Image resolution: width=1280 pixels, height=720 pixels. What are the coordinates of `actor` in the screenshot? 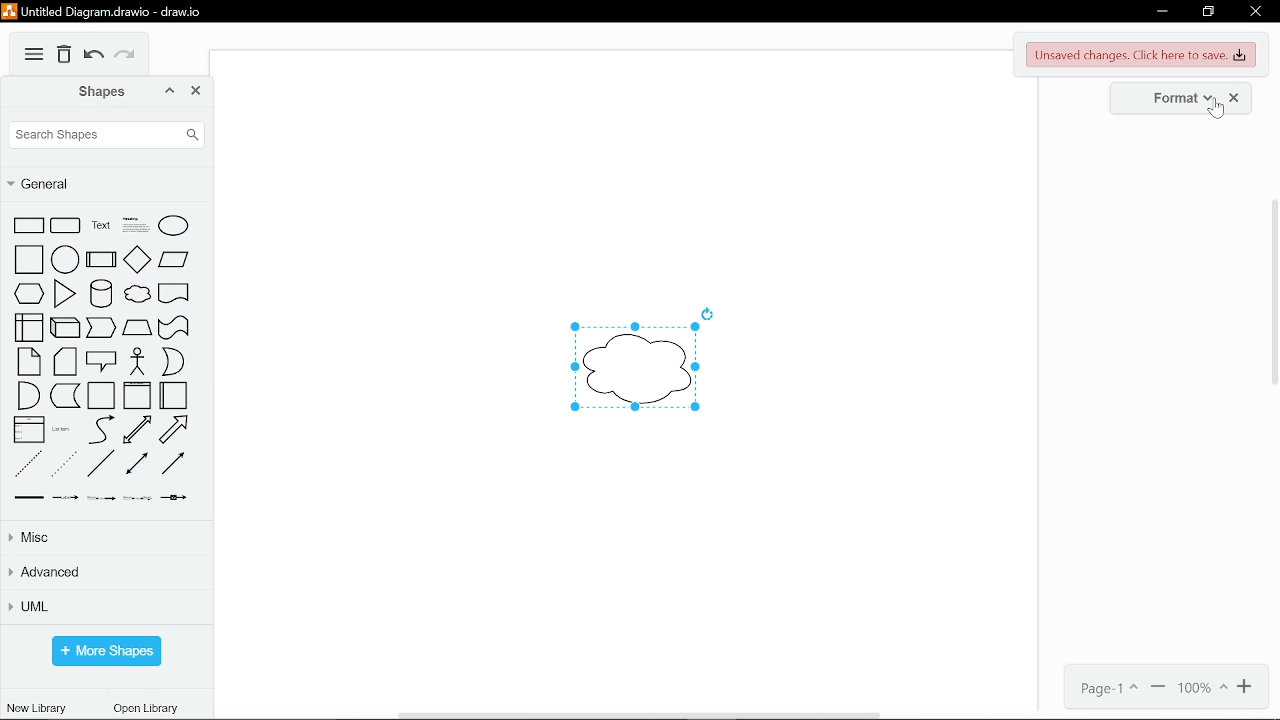 It's located at (138, 362).